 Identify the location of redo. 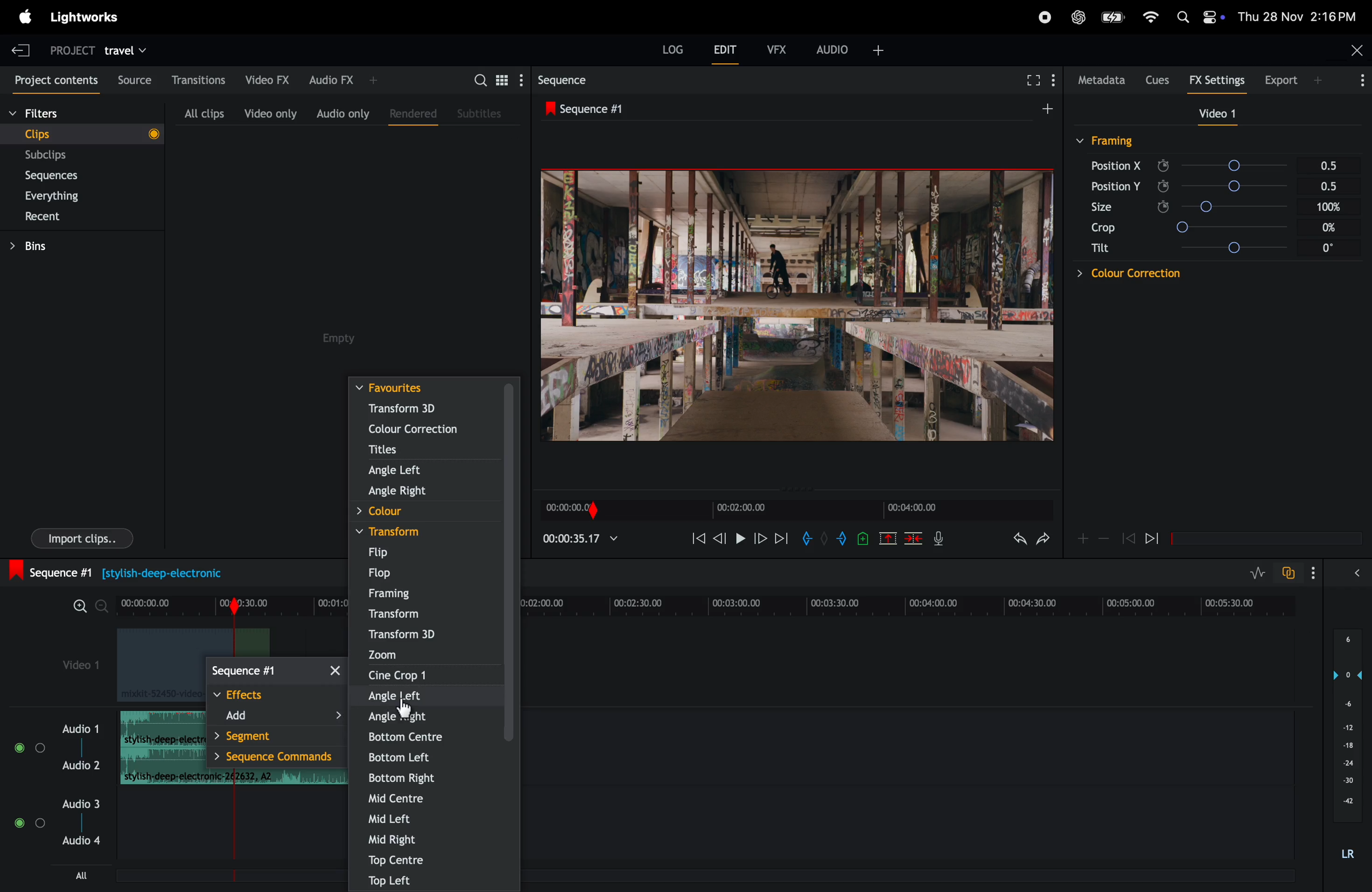
(1016, 540).